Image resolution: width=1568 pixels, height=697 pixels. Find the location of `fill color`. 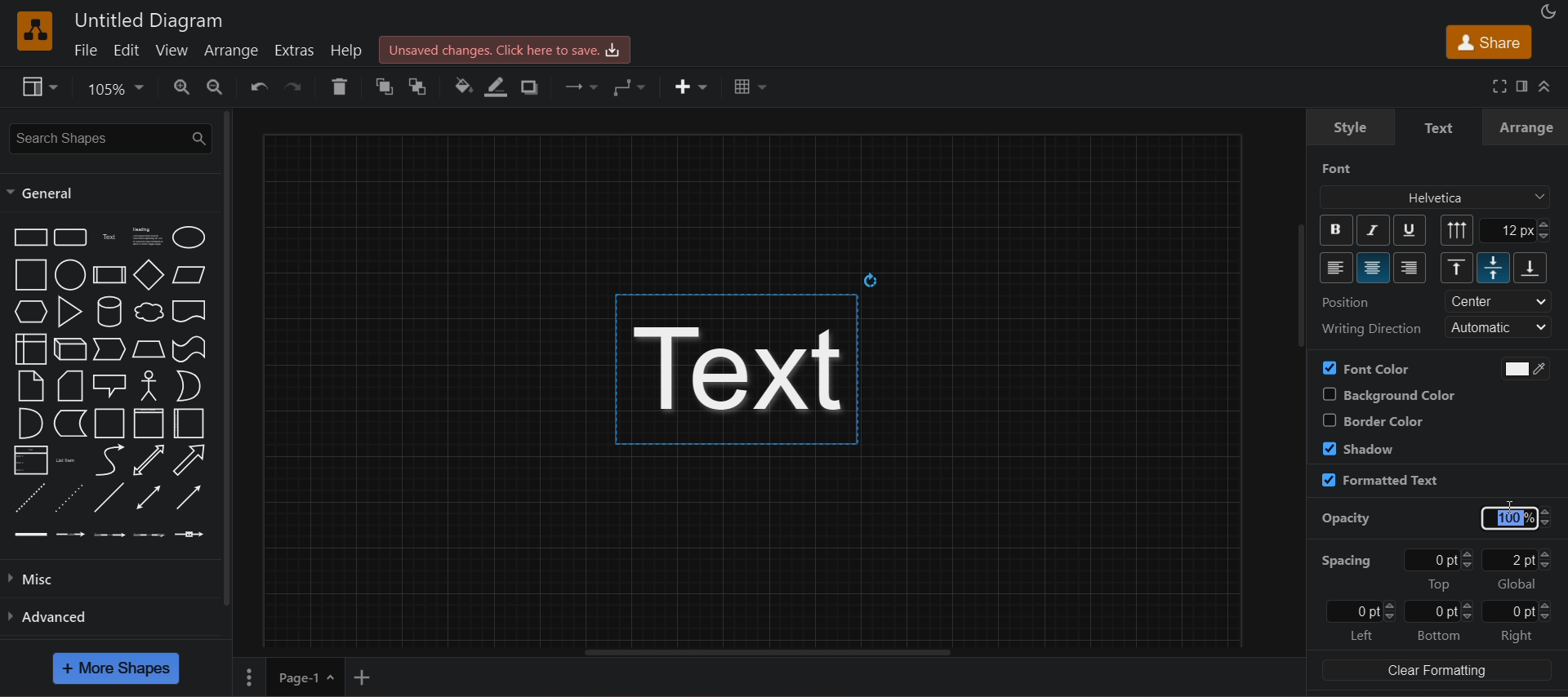

fill color is located at coordinates (461, 87).